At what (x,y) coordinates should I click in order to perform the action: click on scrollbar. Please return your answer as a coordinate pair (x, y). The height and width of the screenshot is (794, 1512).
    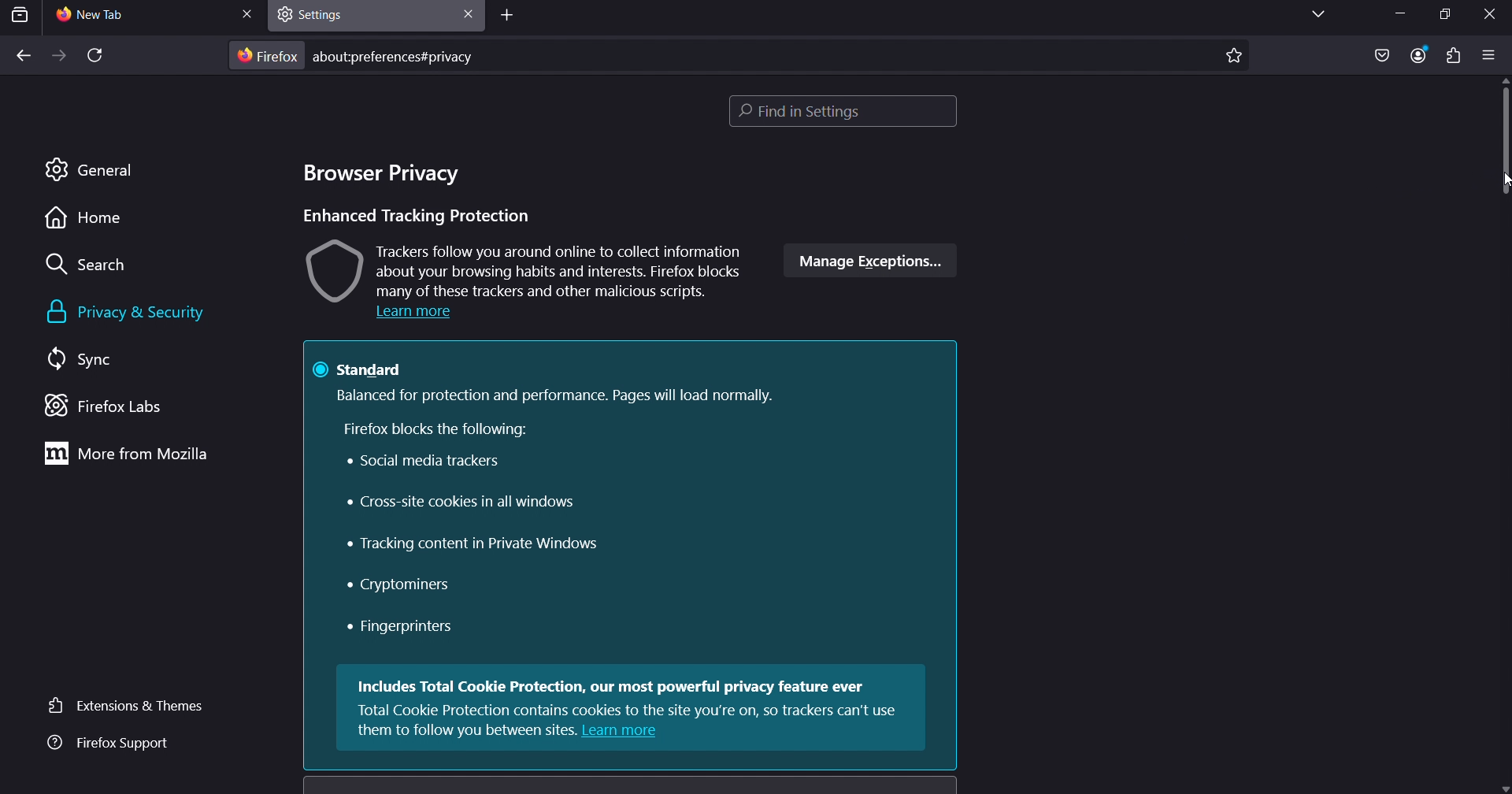
    Looking at the image, I should click on (1497, 139).